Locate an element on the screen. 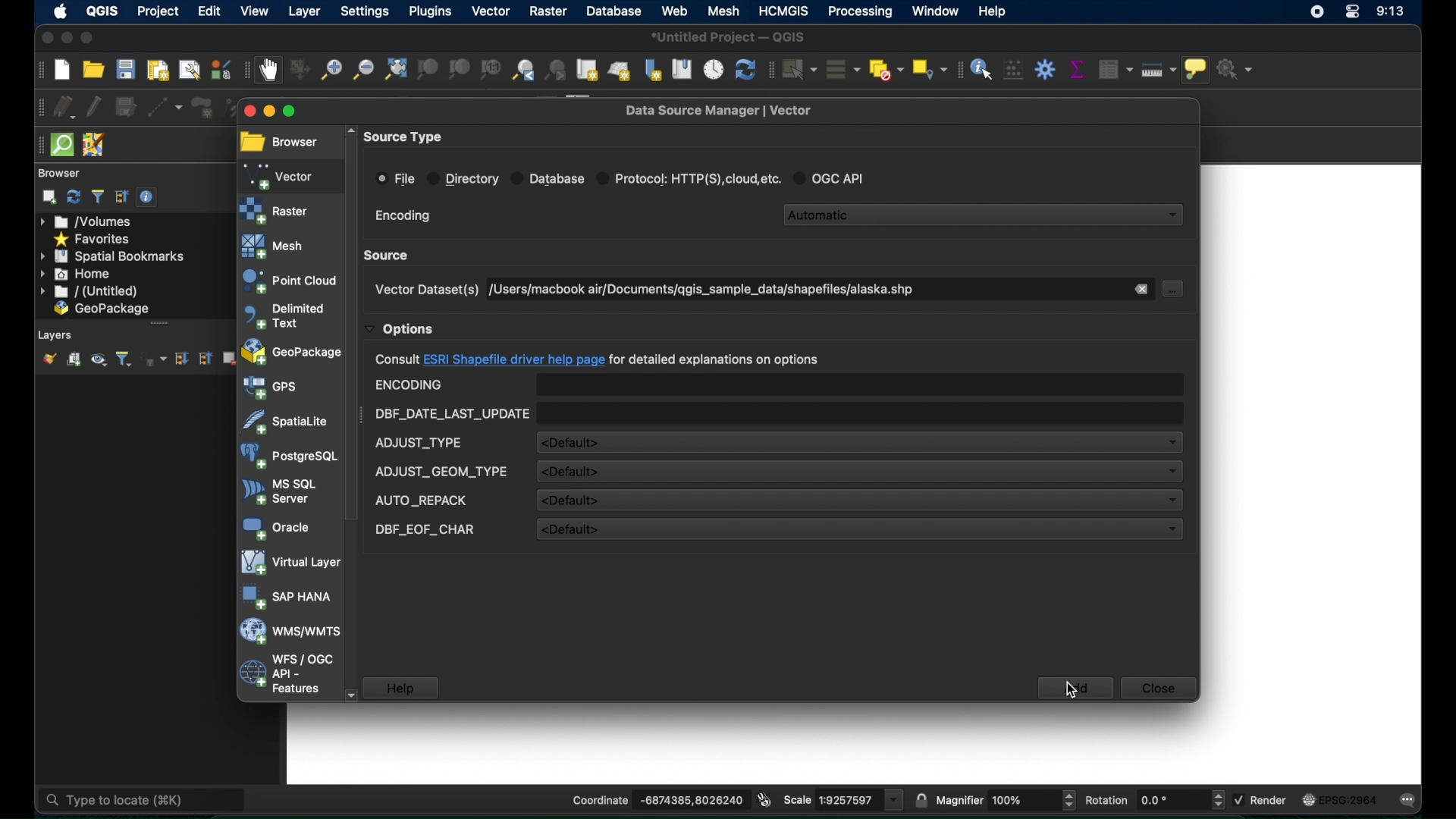 The width and height of the screenshot is (1456, 819). project is located at coordinates (158, 11).